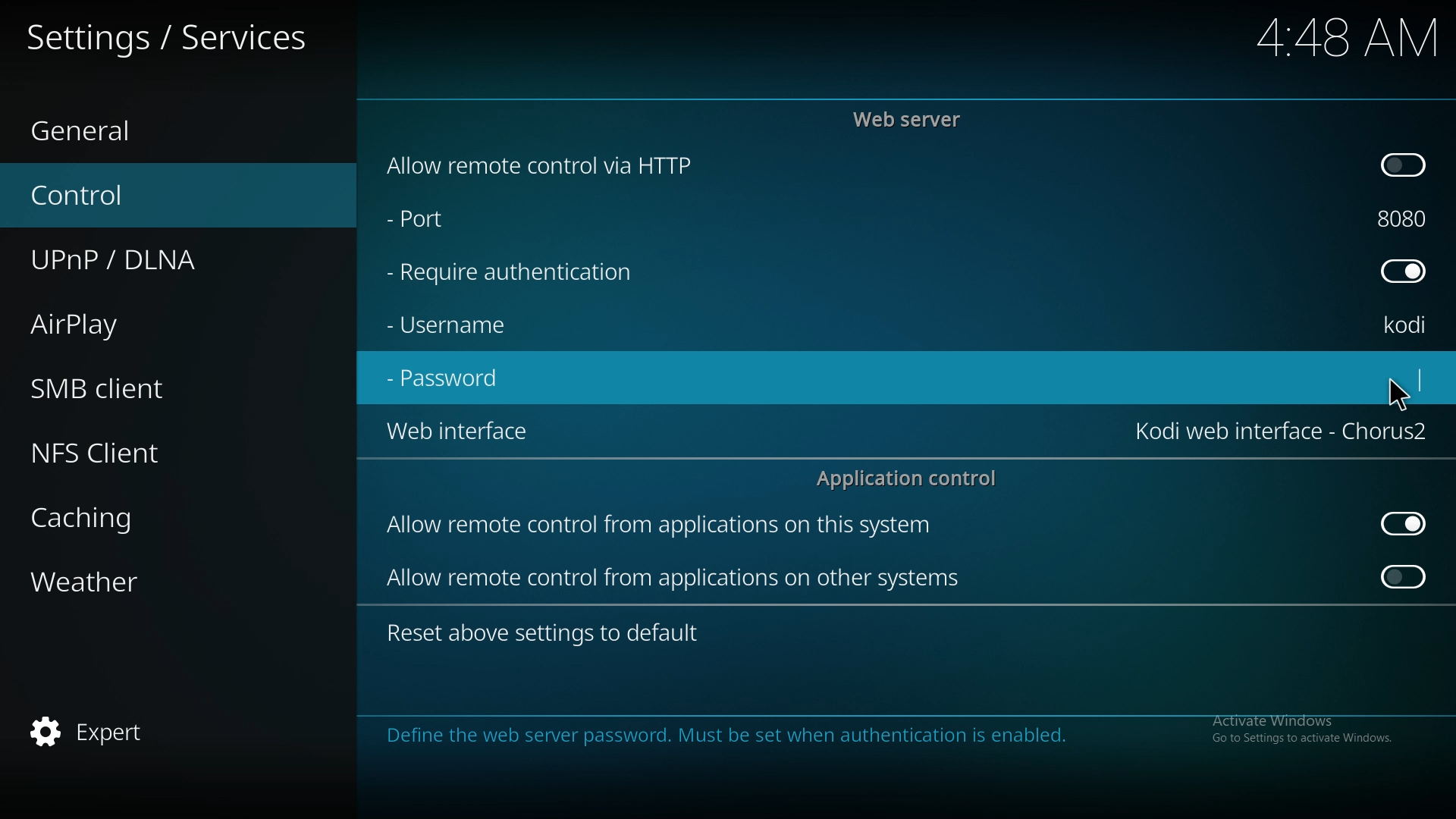 This screenshot has height=819, width=1456. I want to click on nfs client, so click(121, 448).